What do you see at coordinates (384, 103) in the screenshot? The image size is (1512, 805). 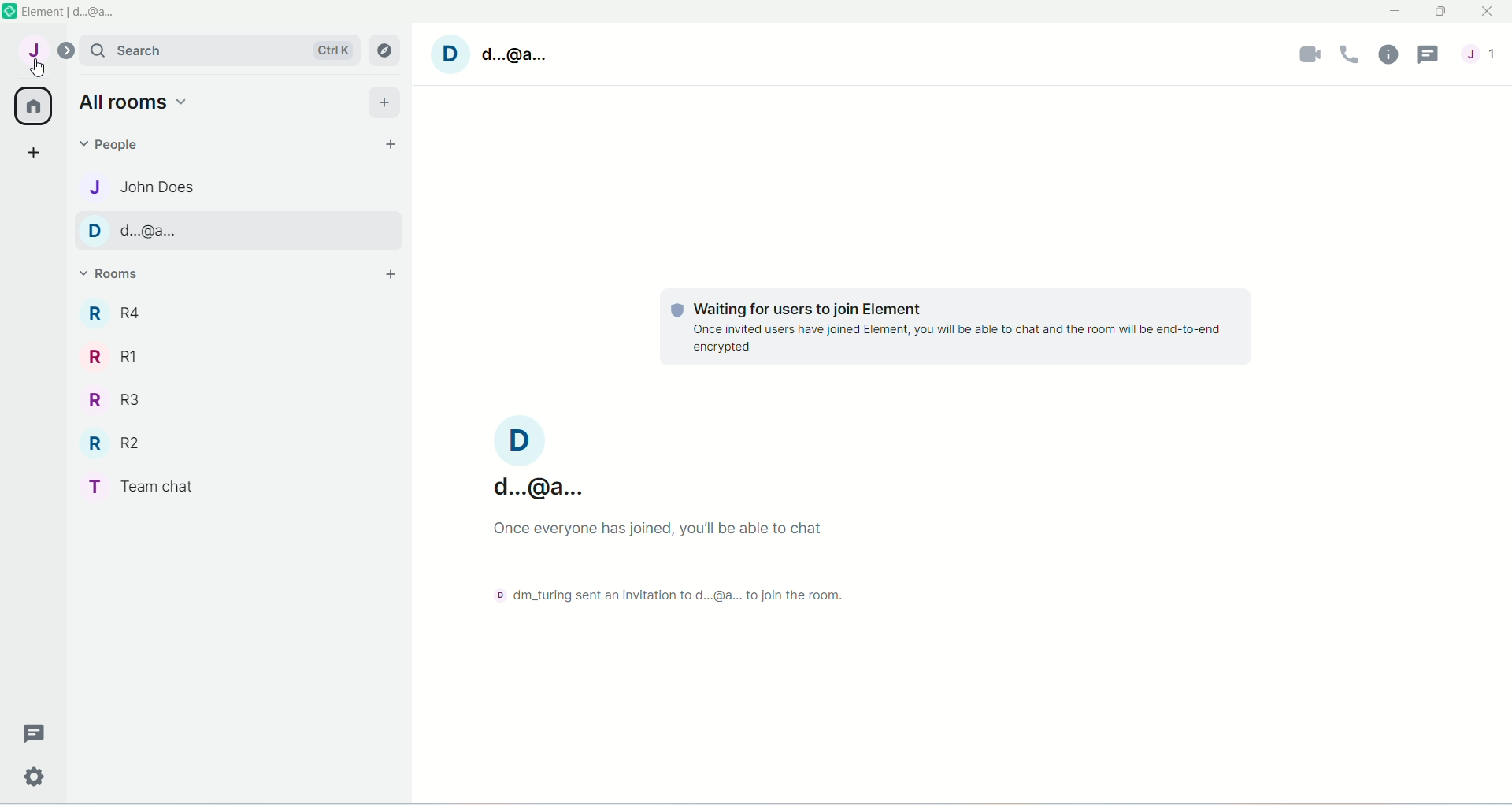 I see `Add` at bounding box center [384, 103].